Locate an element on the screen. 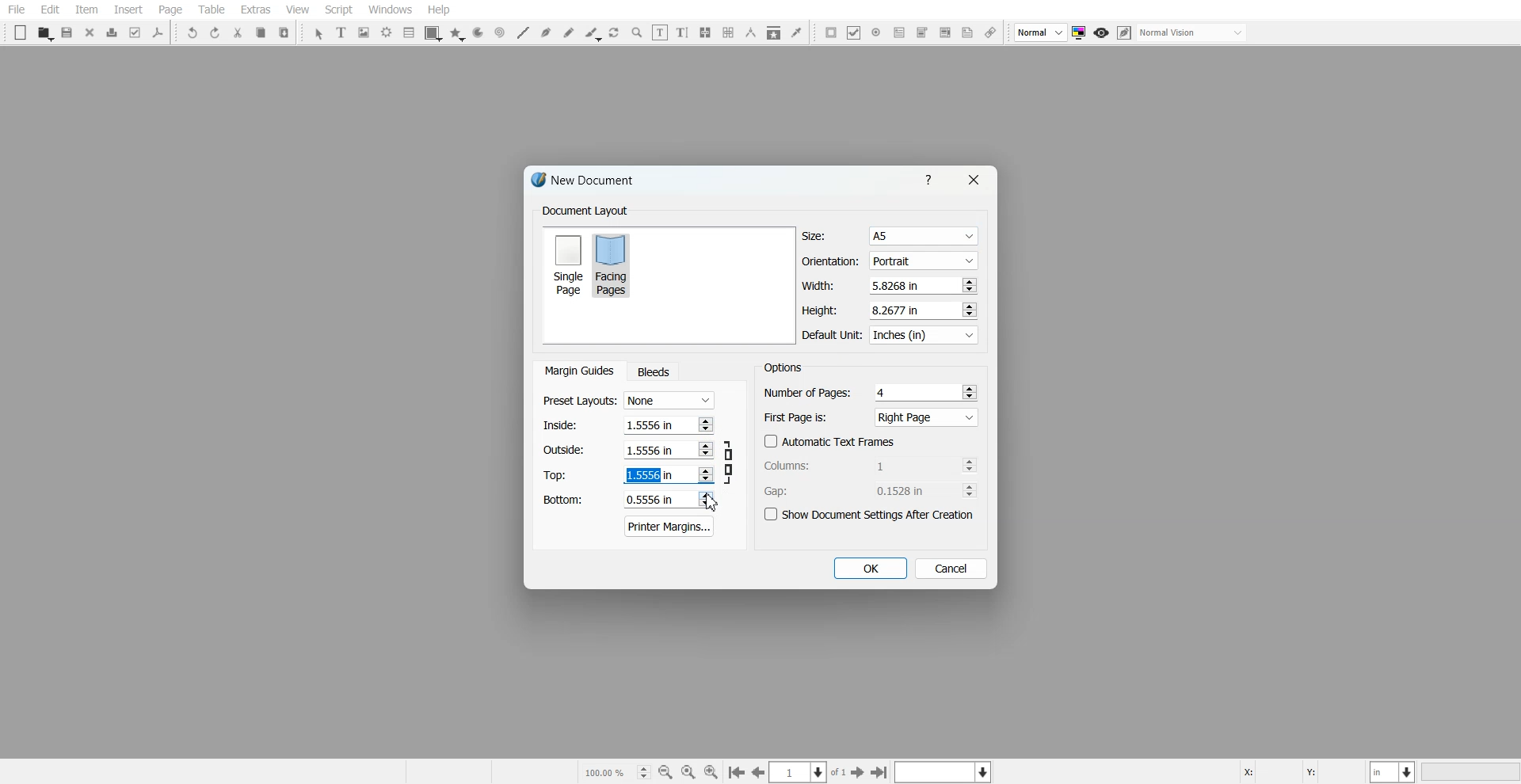 The width and height of the screenshot is (1521, 784). Increase and decrease No.  is located at coordinates (704, 424).